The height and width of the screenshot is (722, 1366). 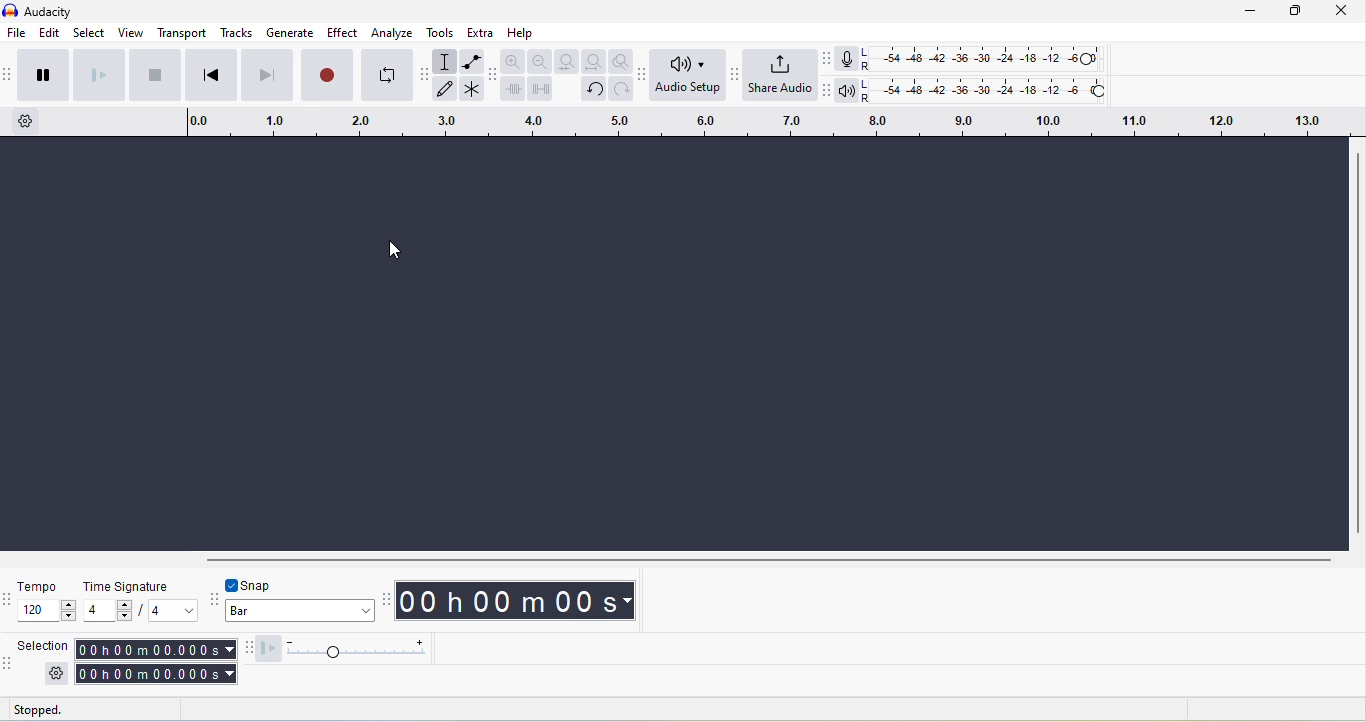 What do you see at coordinates (621, 90) in the screenshot?
I see `redo` at bounding box center [621, 90].